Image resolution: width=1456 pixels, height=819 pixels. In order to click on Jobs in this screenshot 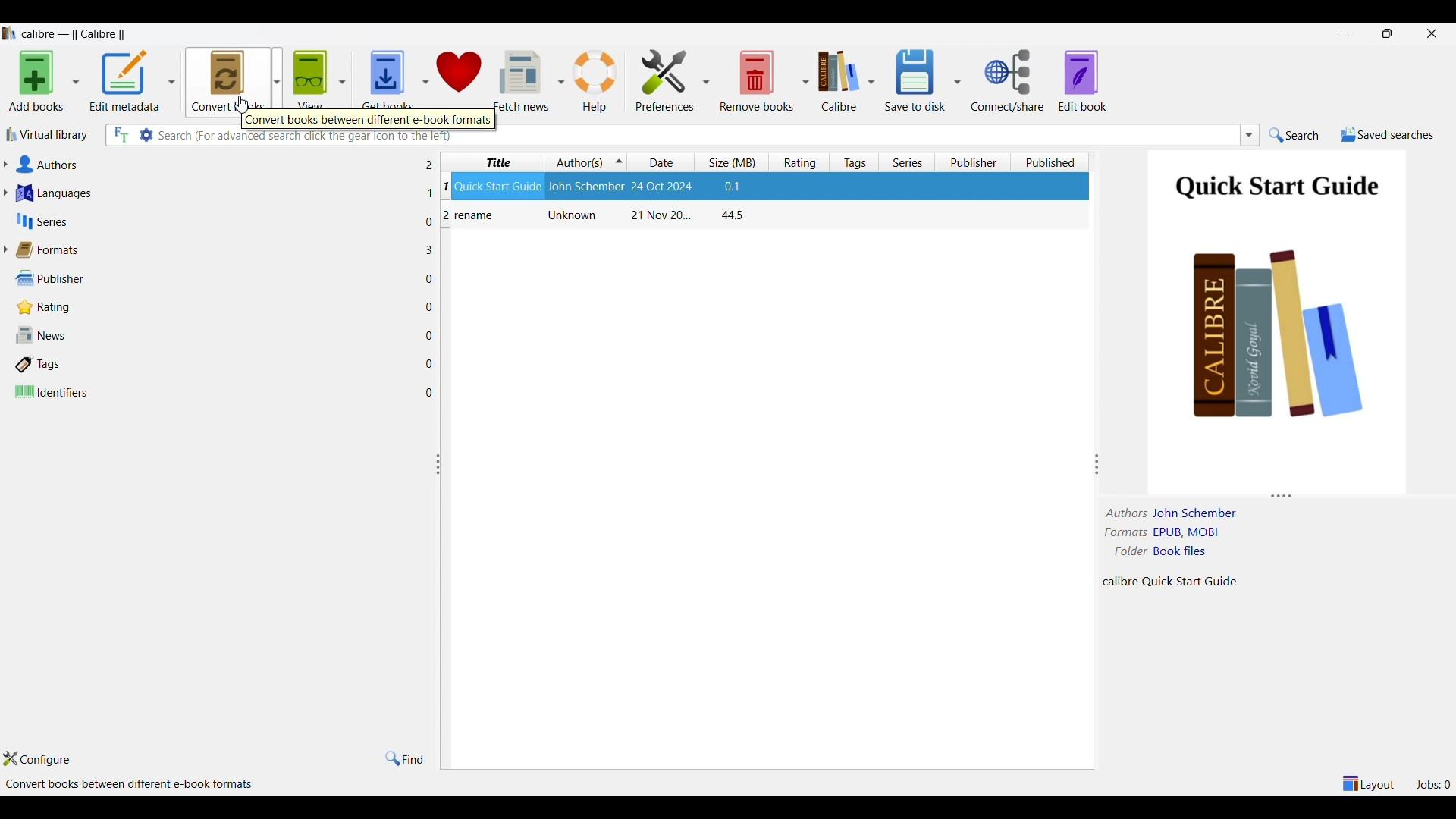, I will do `click(1432, 785)`.